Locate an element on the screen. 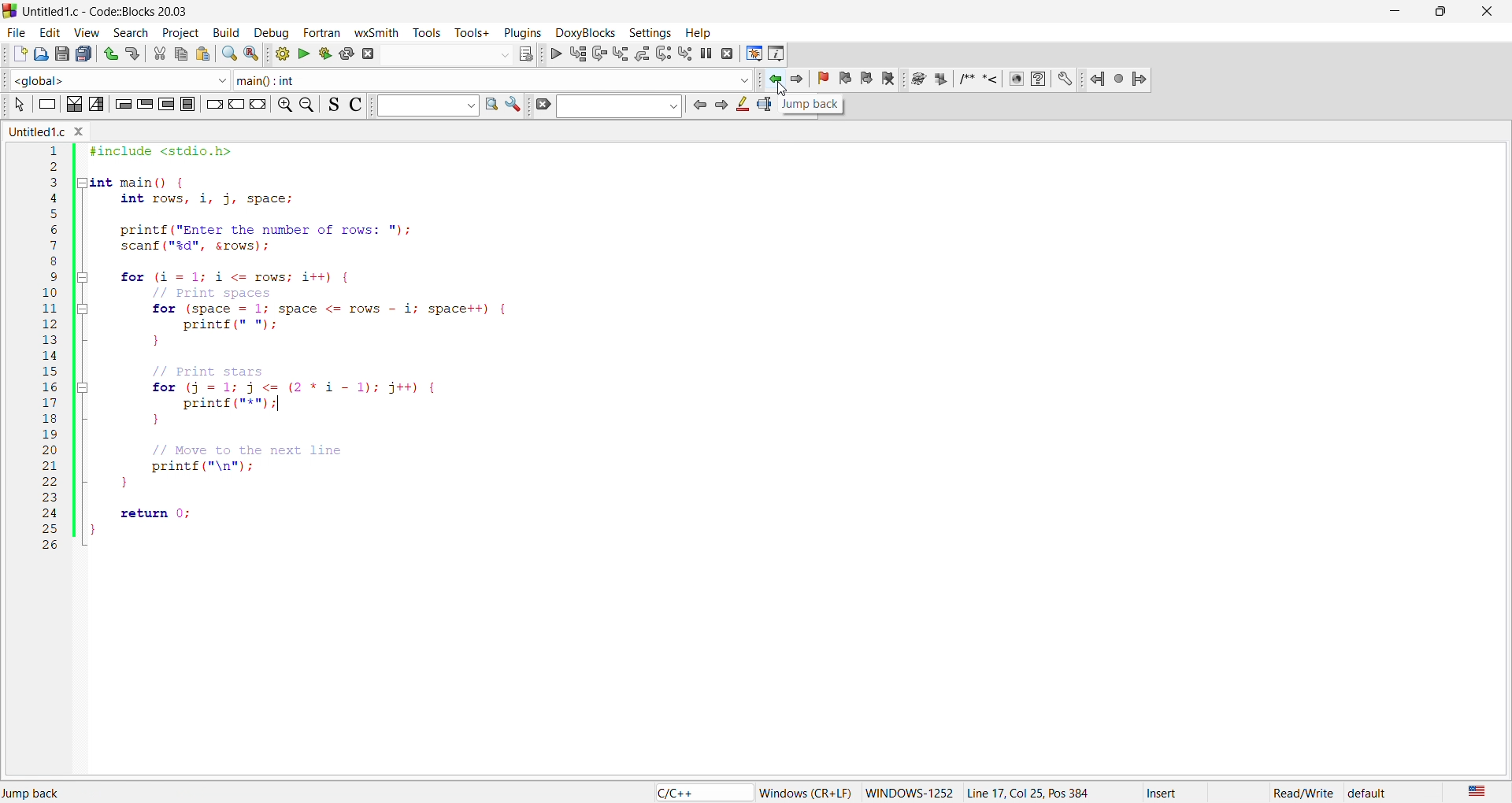 The height and width of the screenshot is (803, 1512). icon is located at coordinates (165, 105).